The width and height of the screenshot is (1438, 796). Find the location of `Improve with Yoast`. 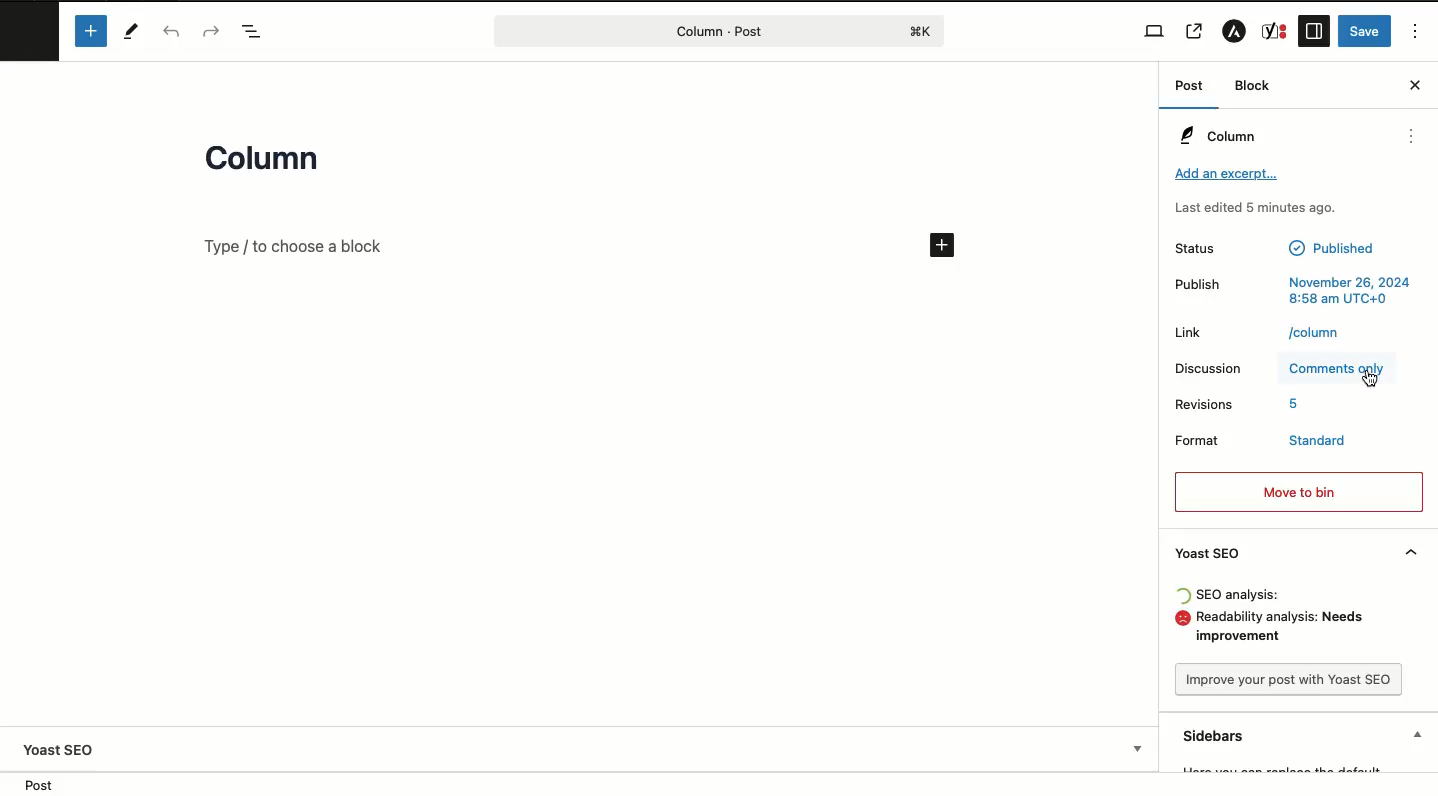

Improve with Yoast is located at coordinates (1291, 681).